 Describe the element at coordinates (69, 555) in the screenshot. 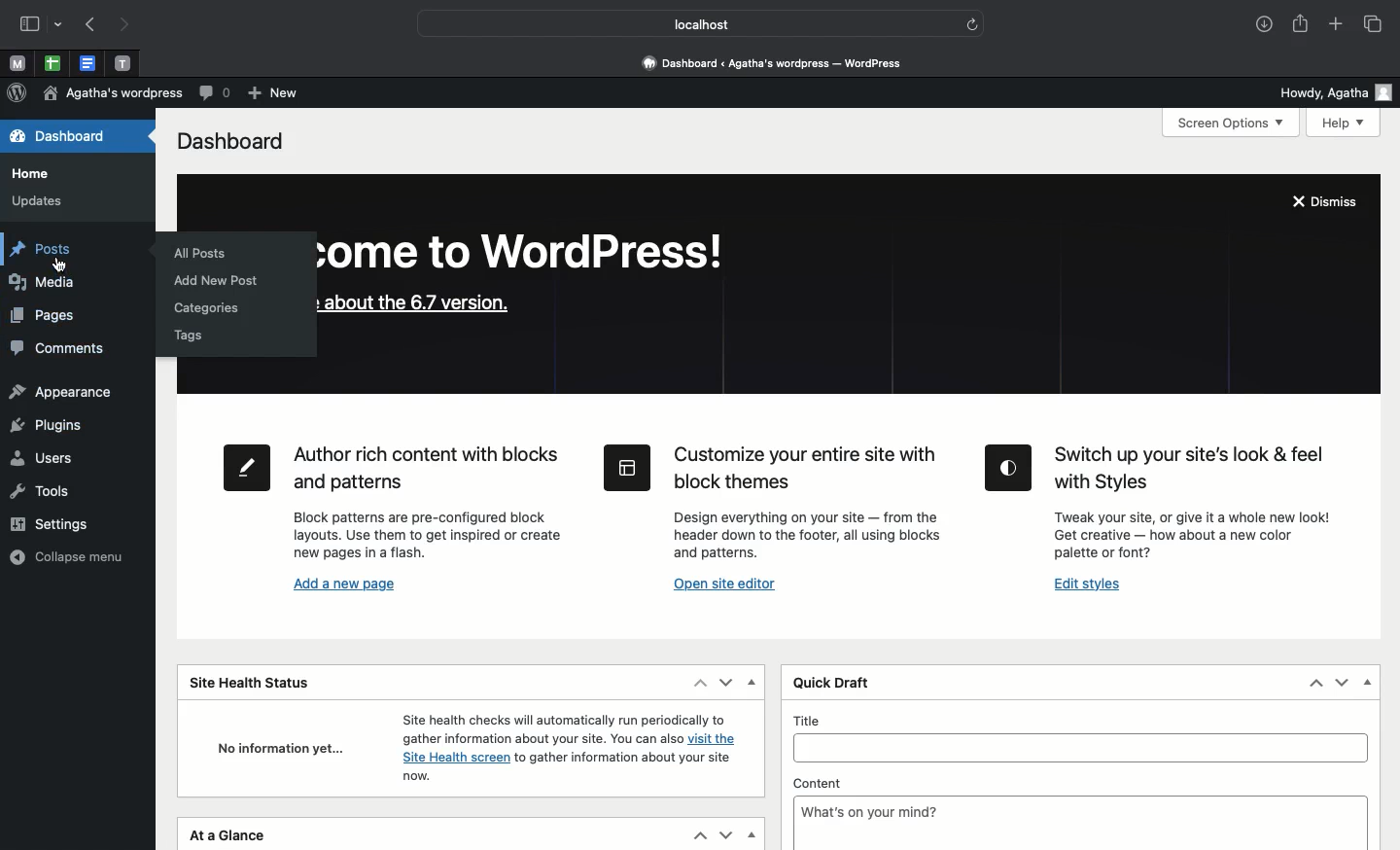

I see `Collapse menu` at that location.